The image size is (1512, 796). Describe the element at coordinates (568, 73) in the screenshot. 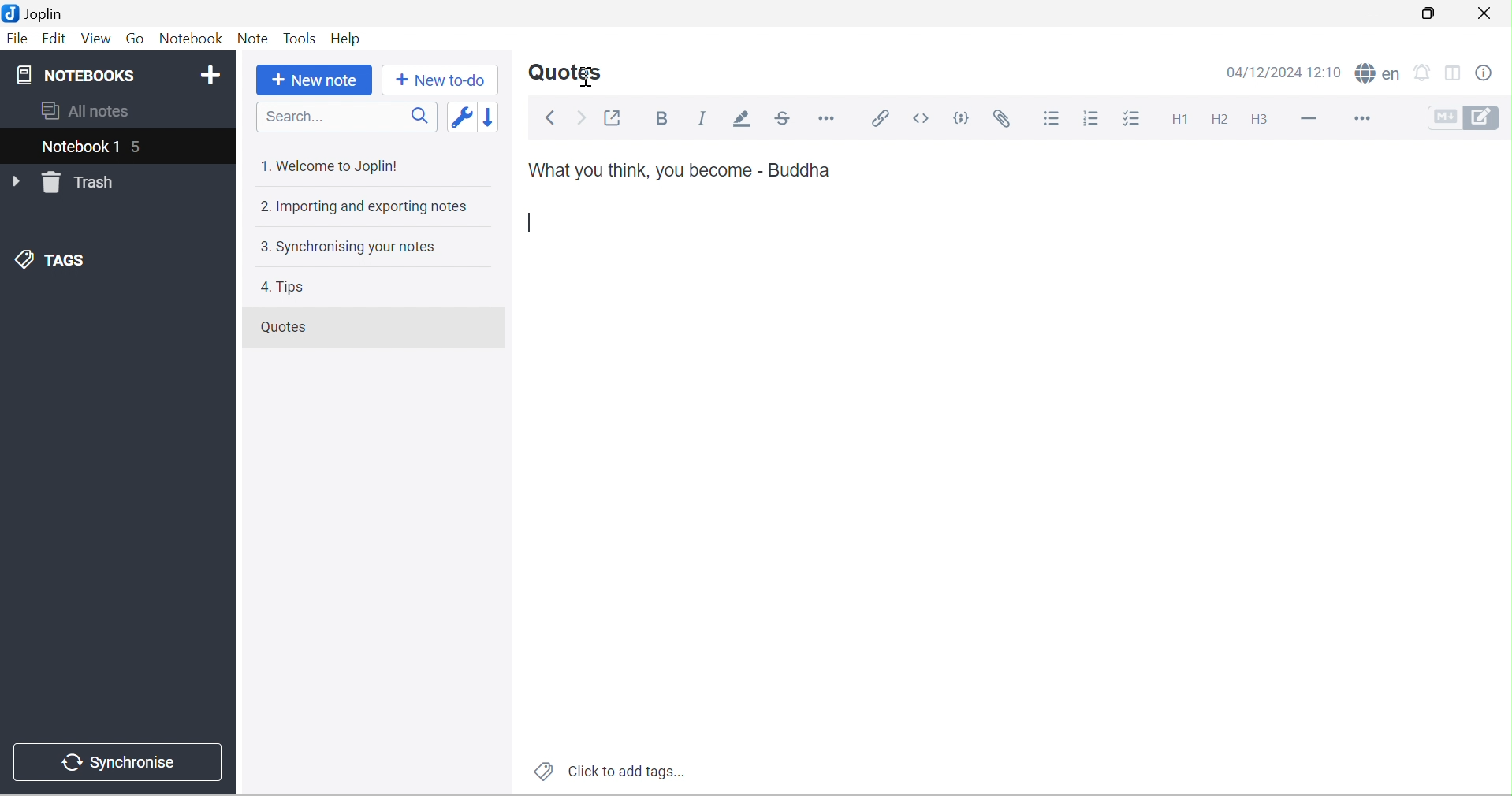

I see `Quotes` at that location.